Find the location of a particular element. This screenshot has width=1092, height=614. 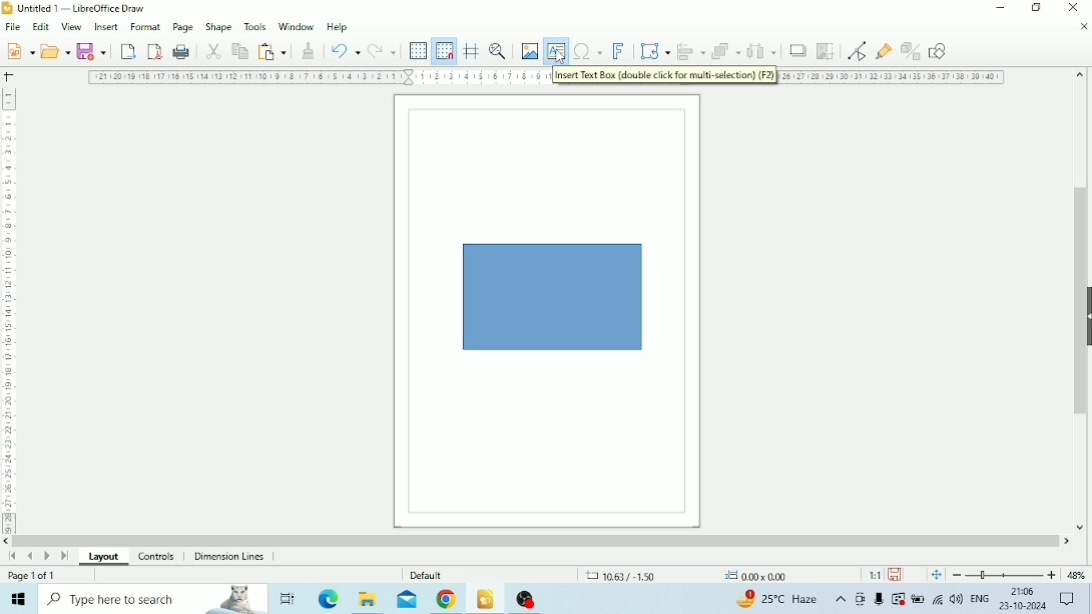

Logo is located at coordinates (8, 8).